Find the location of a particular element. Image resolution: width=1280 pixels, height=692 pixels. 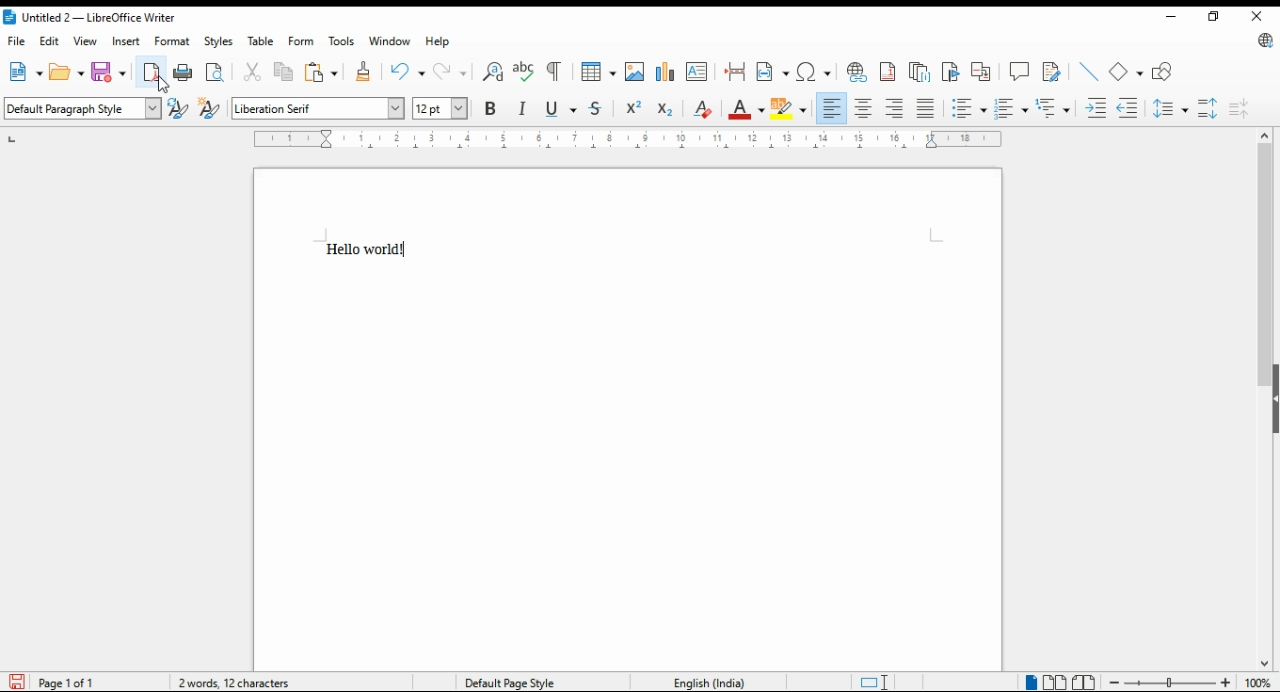

tyles is located at coordinates (220, 42).